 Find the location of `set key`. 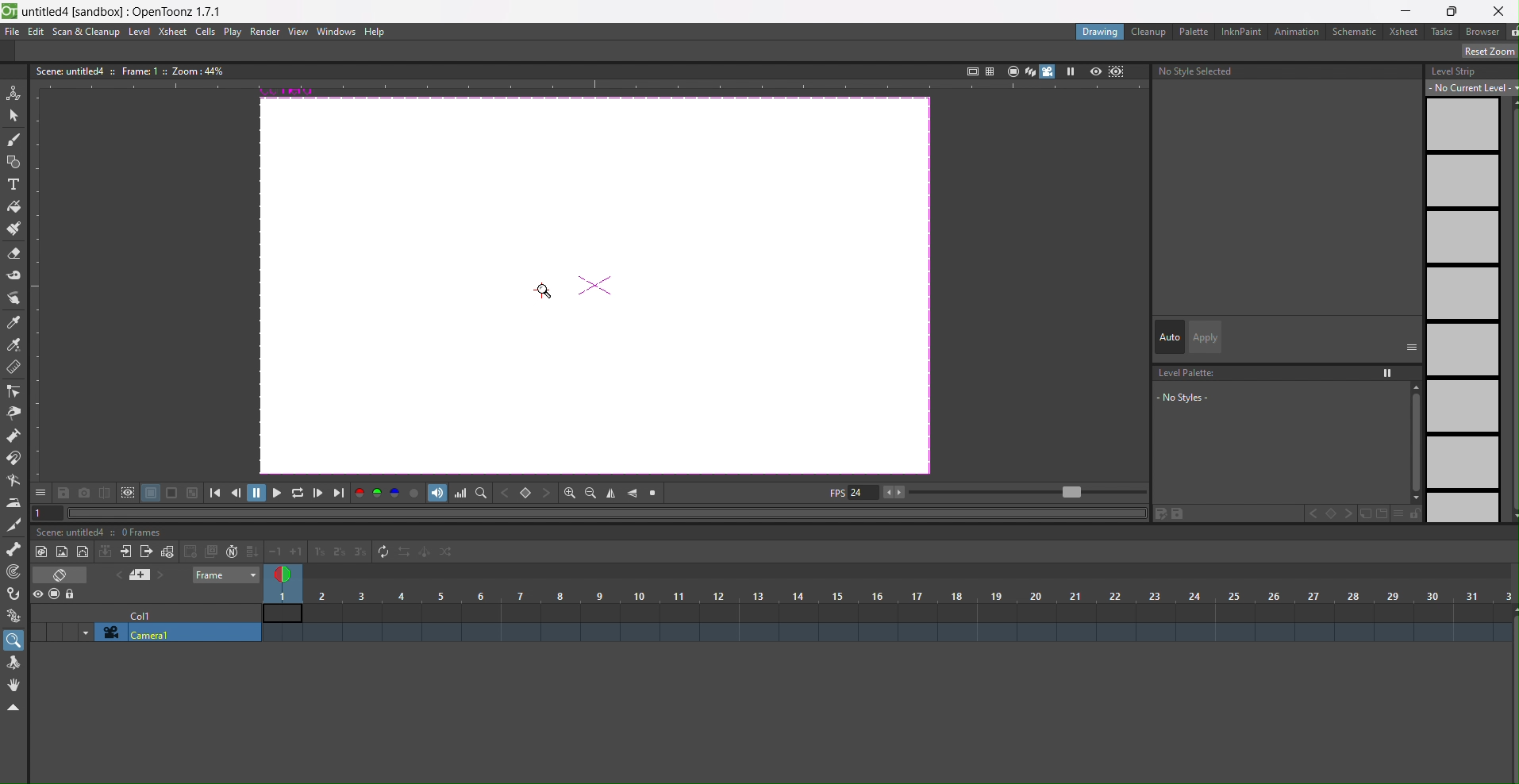

set key is located at coordinates (526, 492).